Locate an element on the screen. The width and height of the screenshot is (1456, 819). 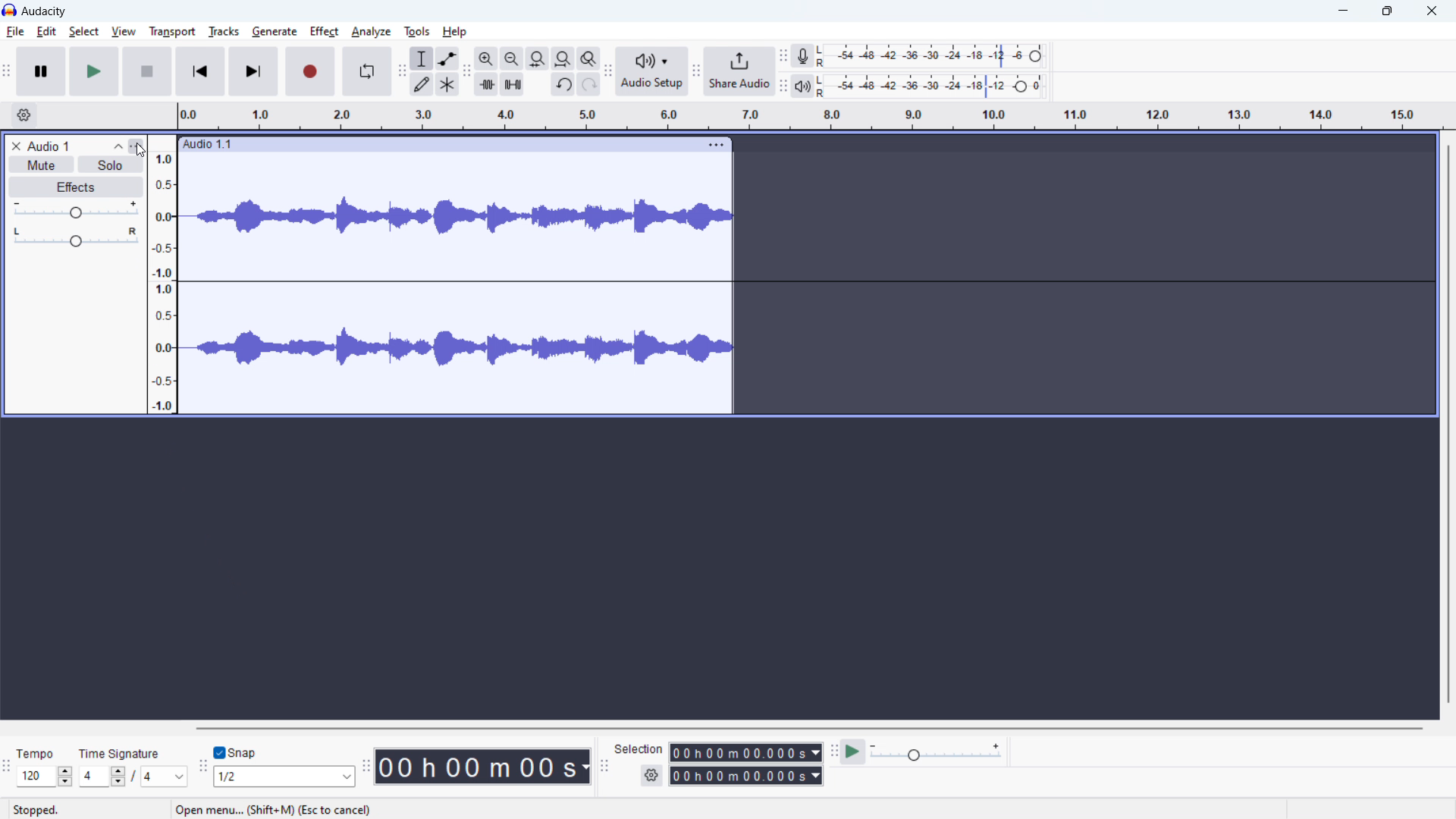
share audio toolbar is located at coordinates (696, 71).